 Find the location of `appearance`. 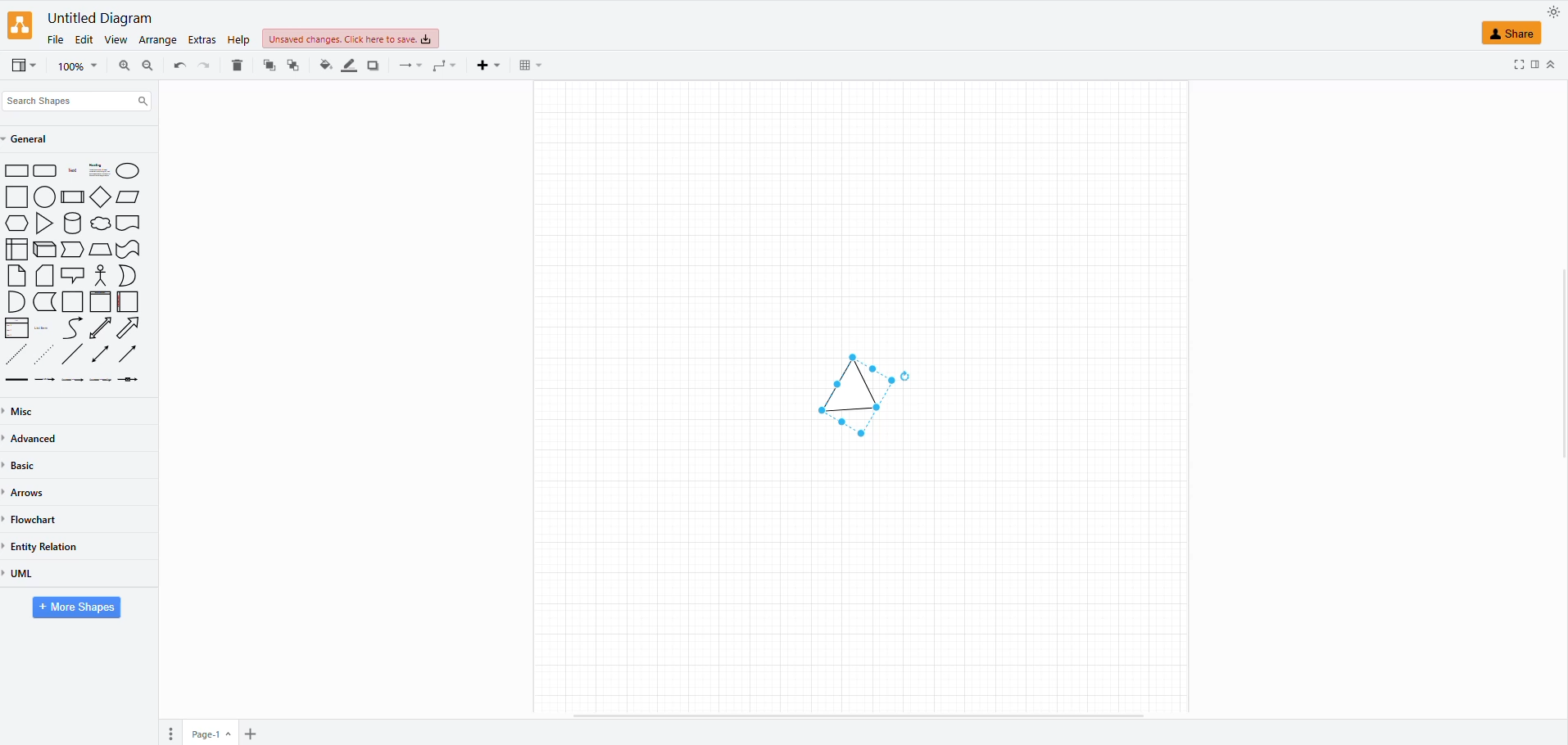

appearance is located at coordinates (1552, 12).